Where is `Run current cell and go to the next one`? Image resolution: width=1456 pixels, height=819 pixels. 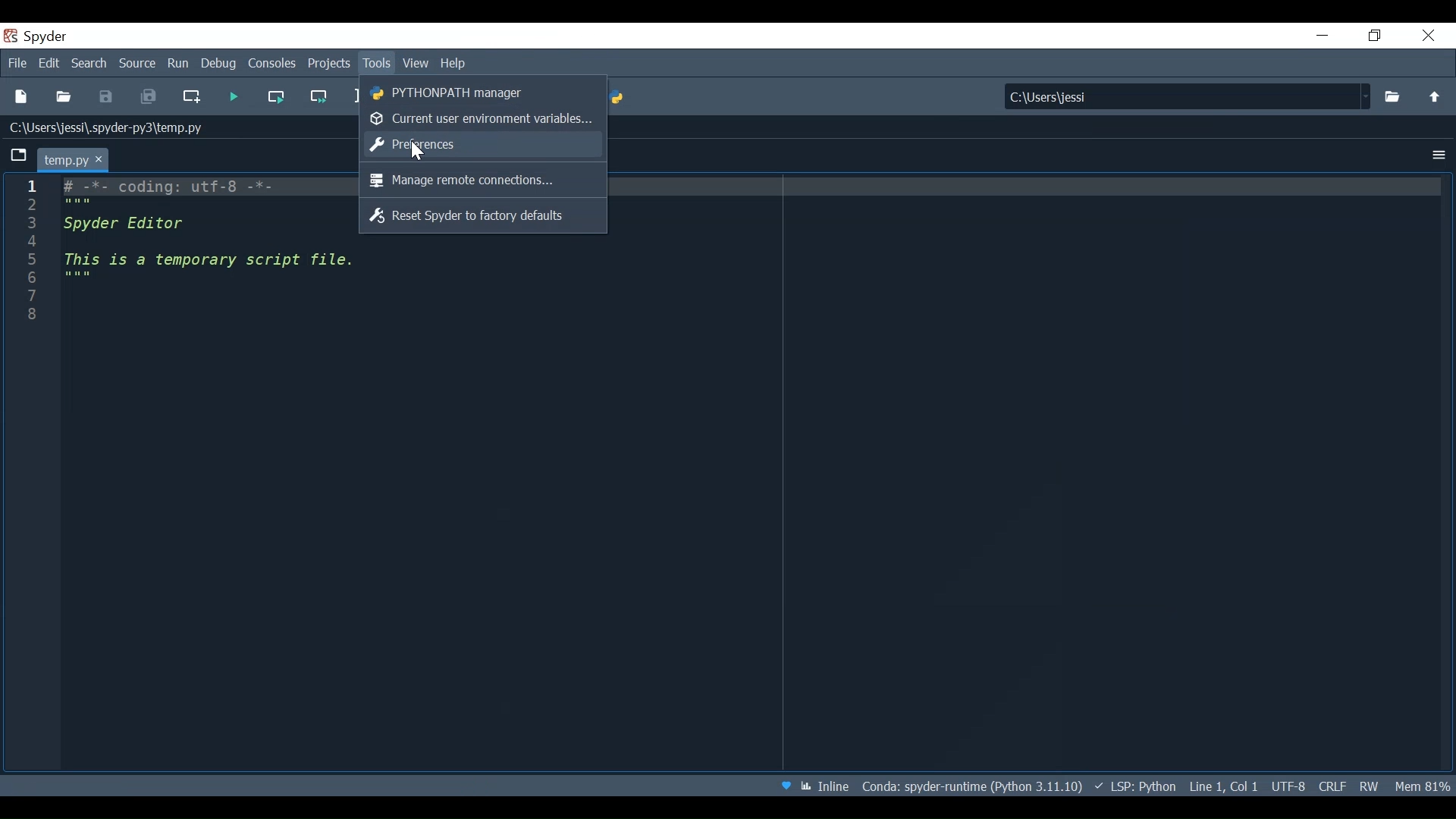 Run current cell and go to the next one is located at coordinates (320, 97).